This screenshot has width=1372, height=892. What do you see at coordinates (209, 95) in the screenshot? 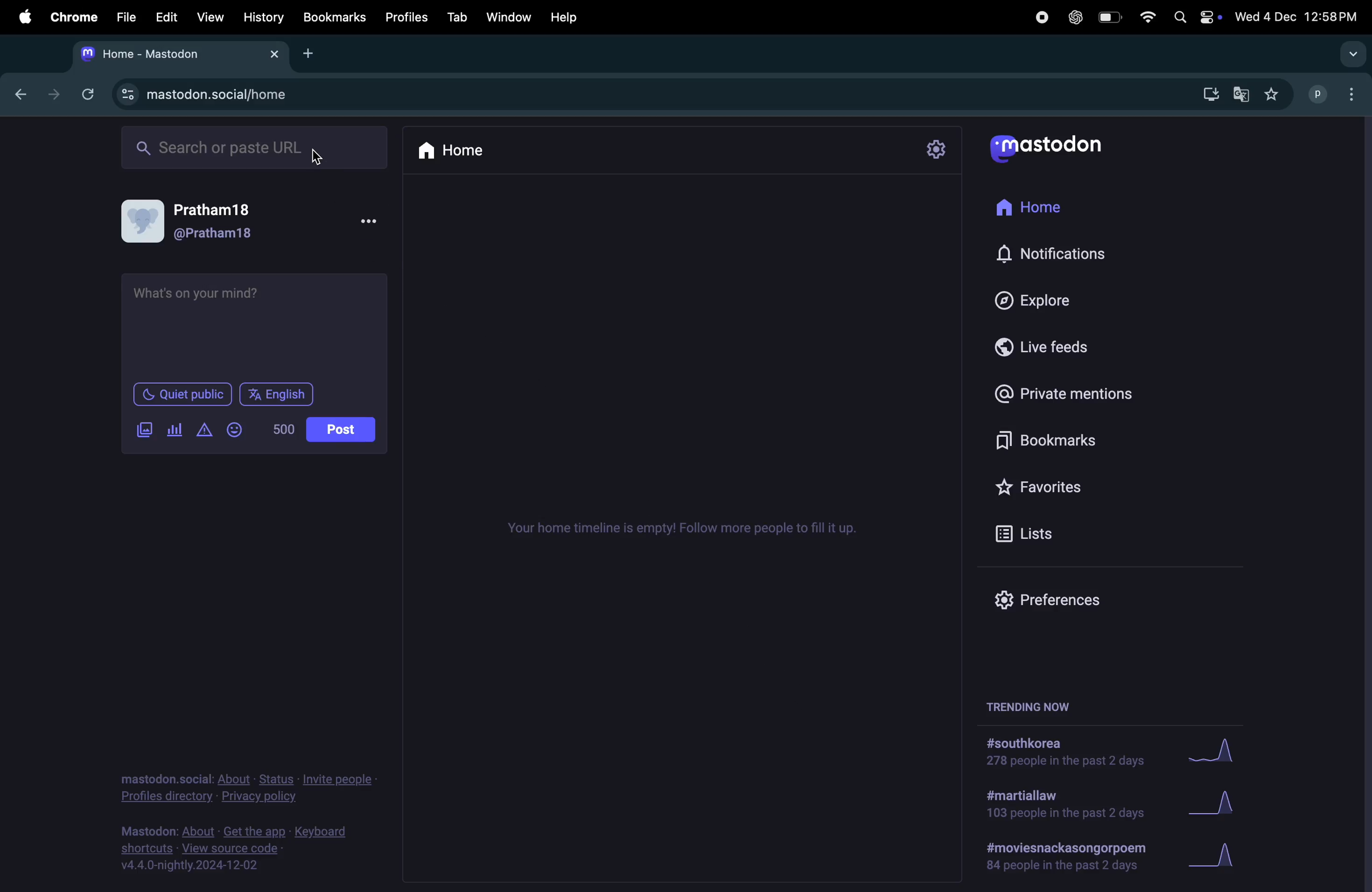
I see `mastodon url` at bounding box center [209, 95].